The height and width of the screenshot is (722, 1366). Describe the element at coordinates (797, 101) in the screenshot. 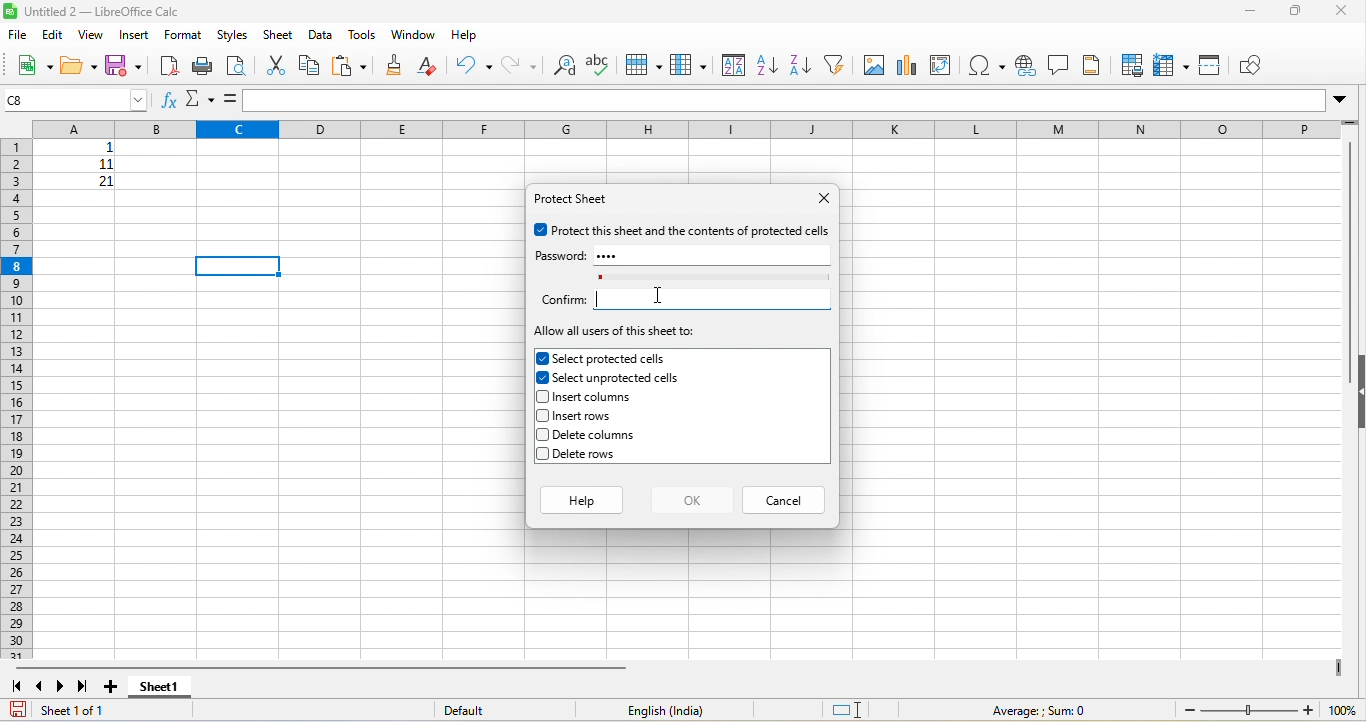

I see `formula bar` at that location.